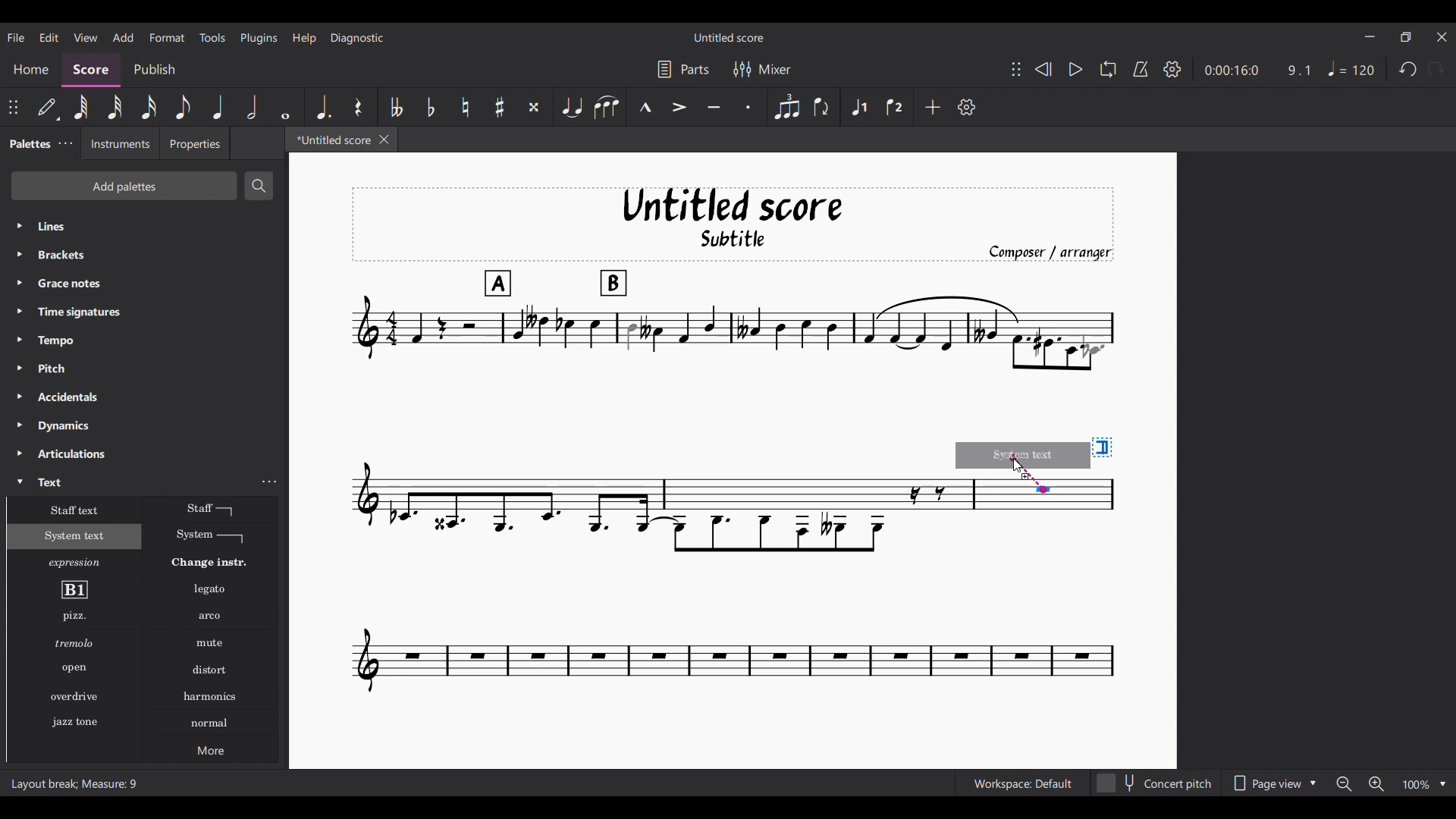 This screenshot has height=819, width=1456. Describe the element at coordinates (144, 368) in the screenshot. I see `Pitch` at that location.